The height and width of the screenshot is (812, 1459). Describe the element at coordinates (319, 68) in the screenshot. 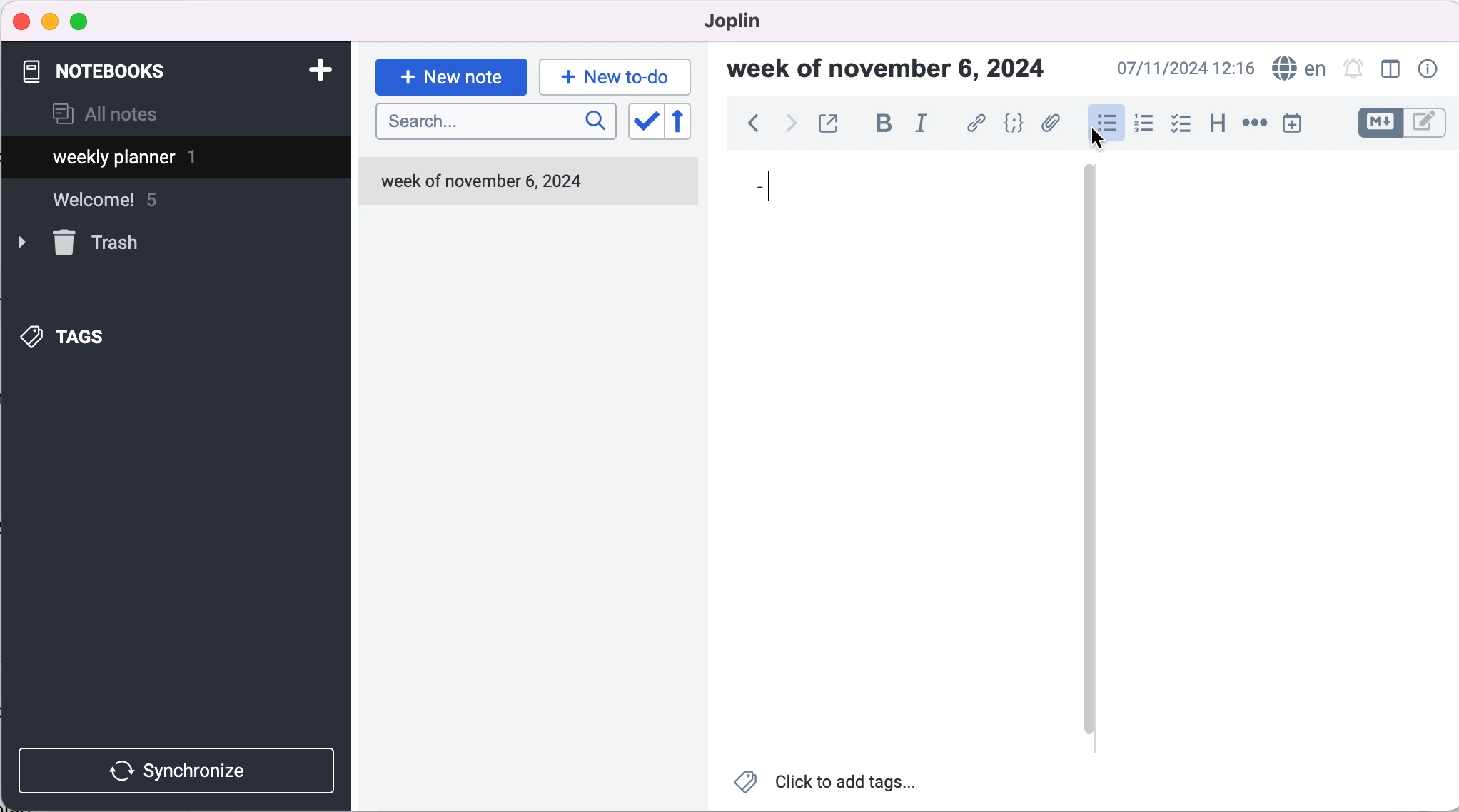

I see `add note` at that location.